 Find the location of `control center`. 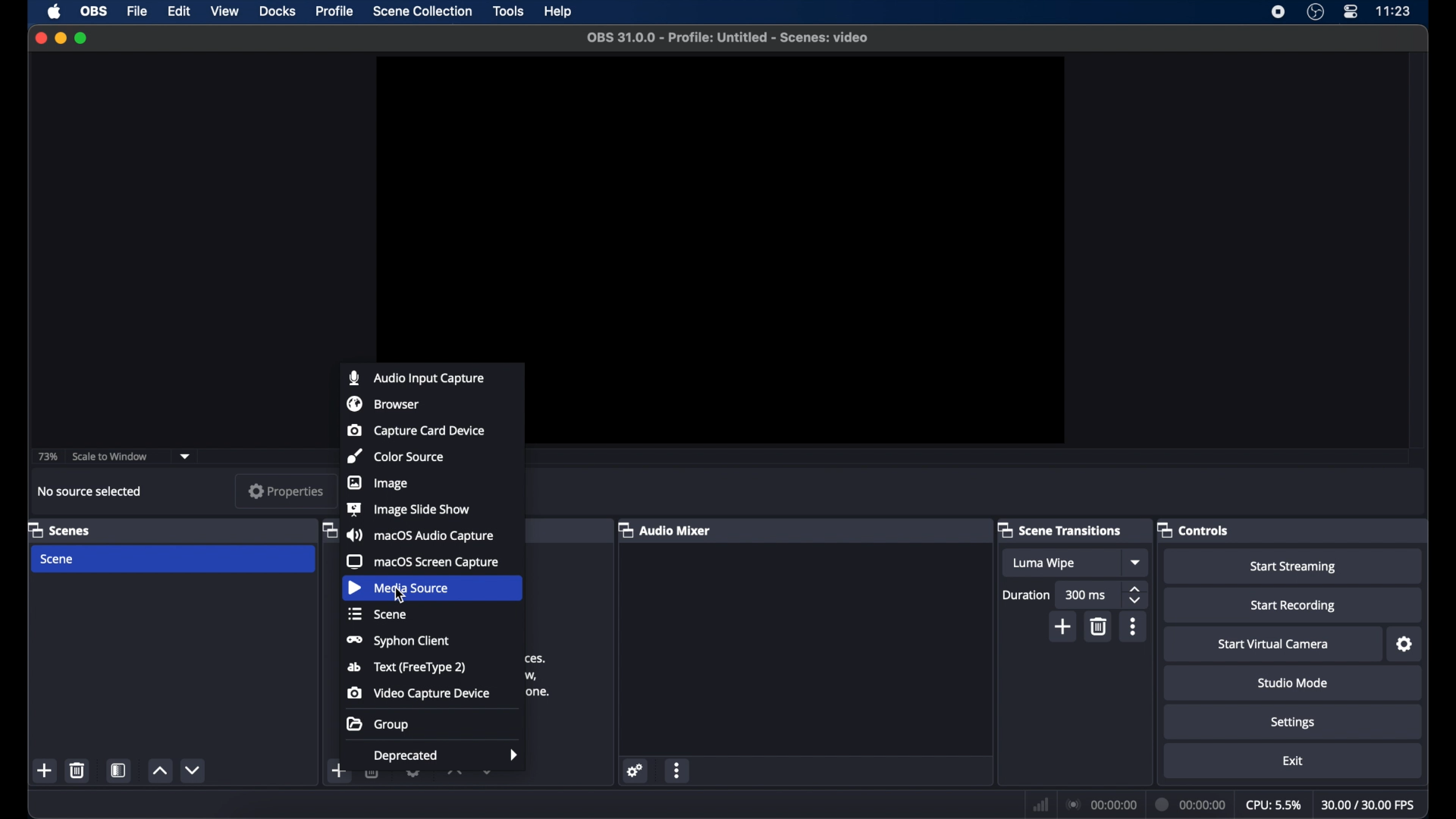

control center is located at coordinates (1350, 11).